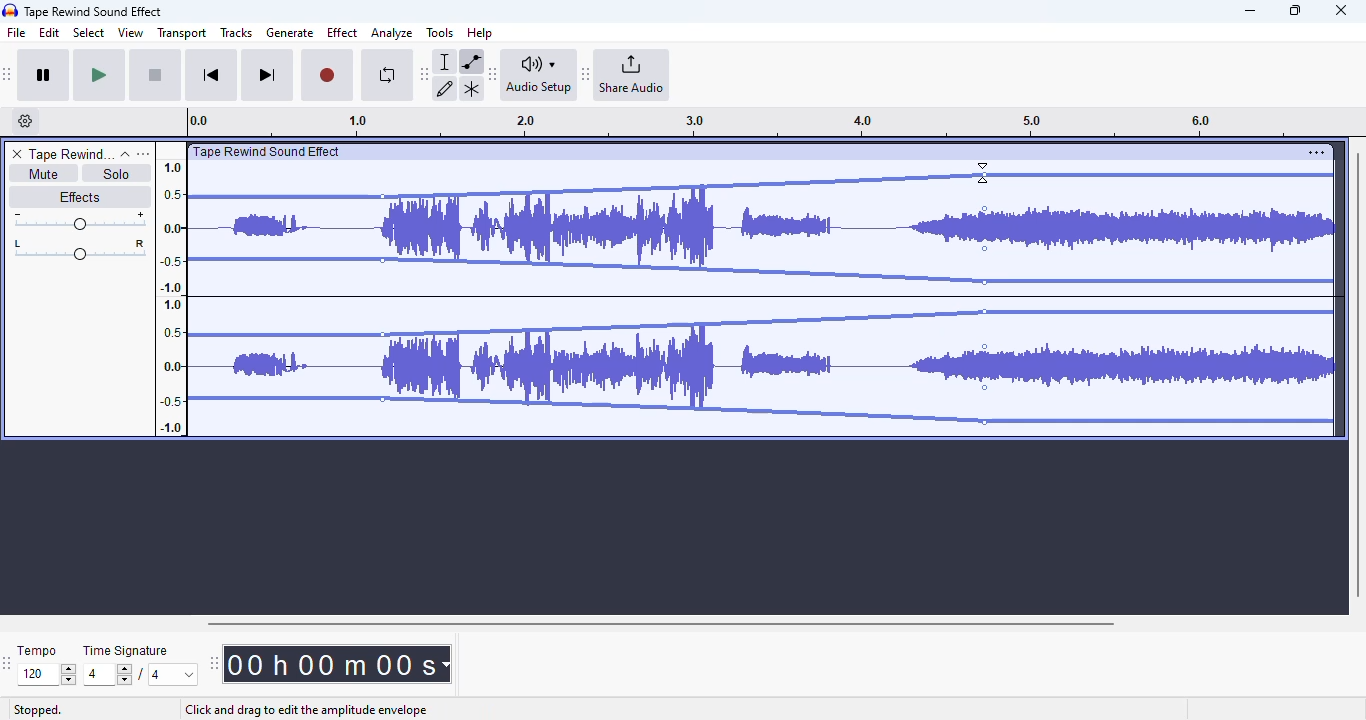 The width and height of the screenshot is (1366, 720). I want to click on file, so click(17, 33).